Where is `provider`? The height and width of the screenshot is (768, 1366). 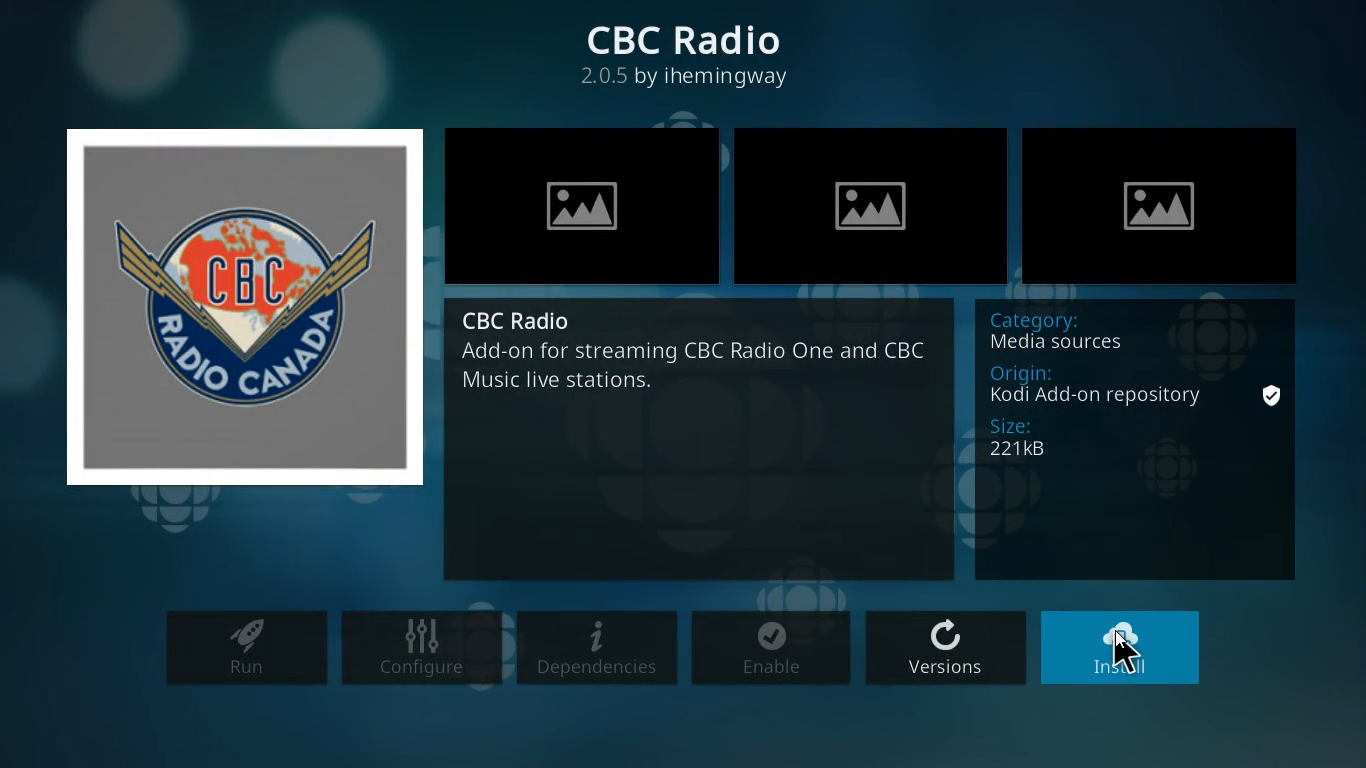 provider is located at coordinates (693, 81).